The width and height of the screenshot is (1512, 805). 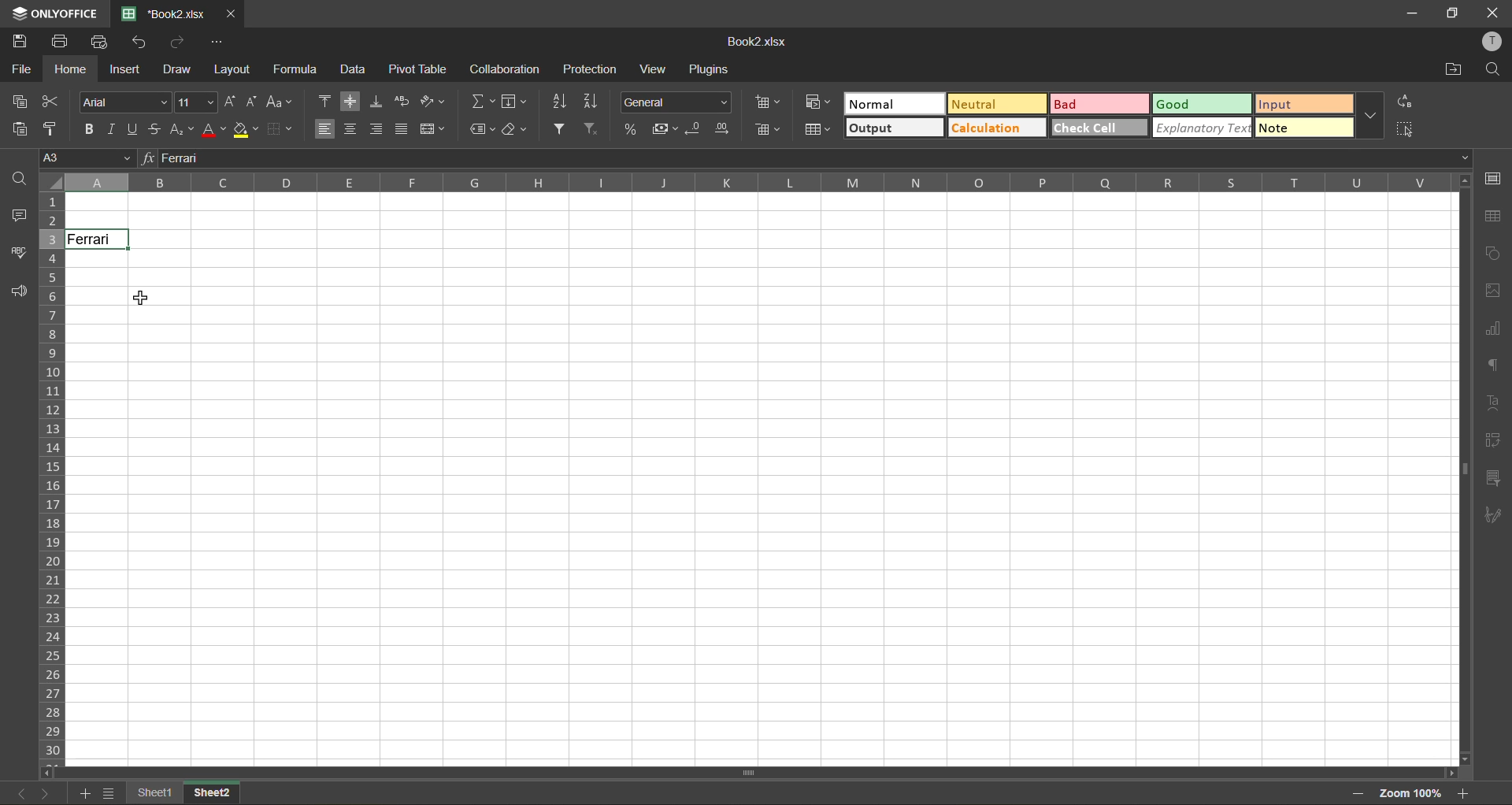 I want to click on slicer, so click(x=1492, y=481).